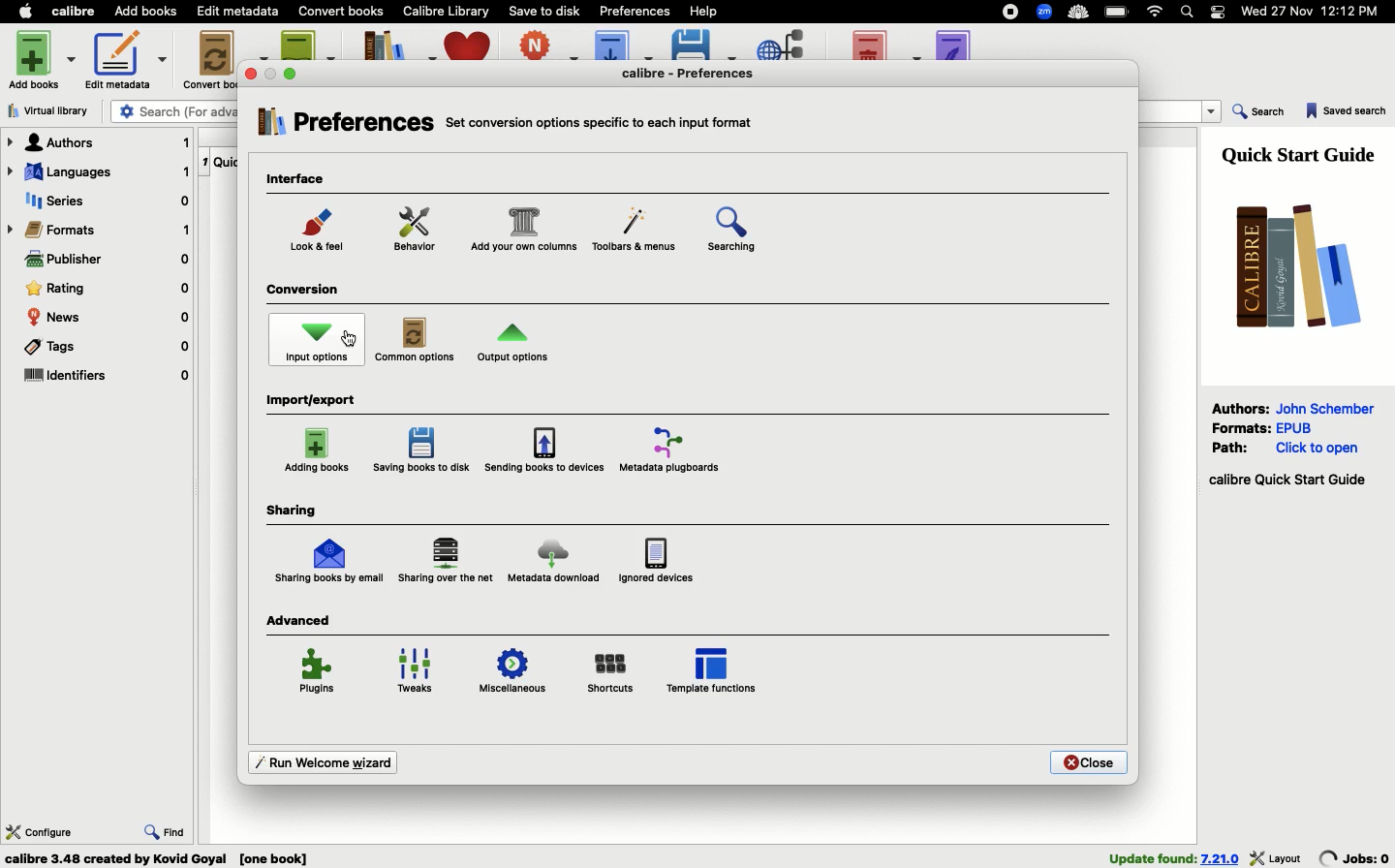 This screenshot has width=1395, height=868. Describe the element at coordinates (77, 11) in the screenshot. I see `Calibre` at that location.